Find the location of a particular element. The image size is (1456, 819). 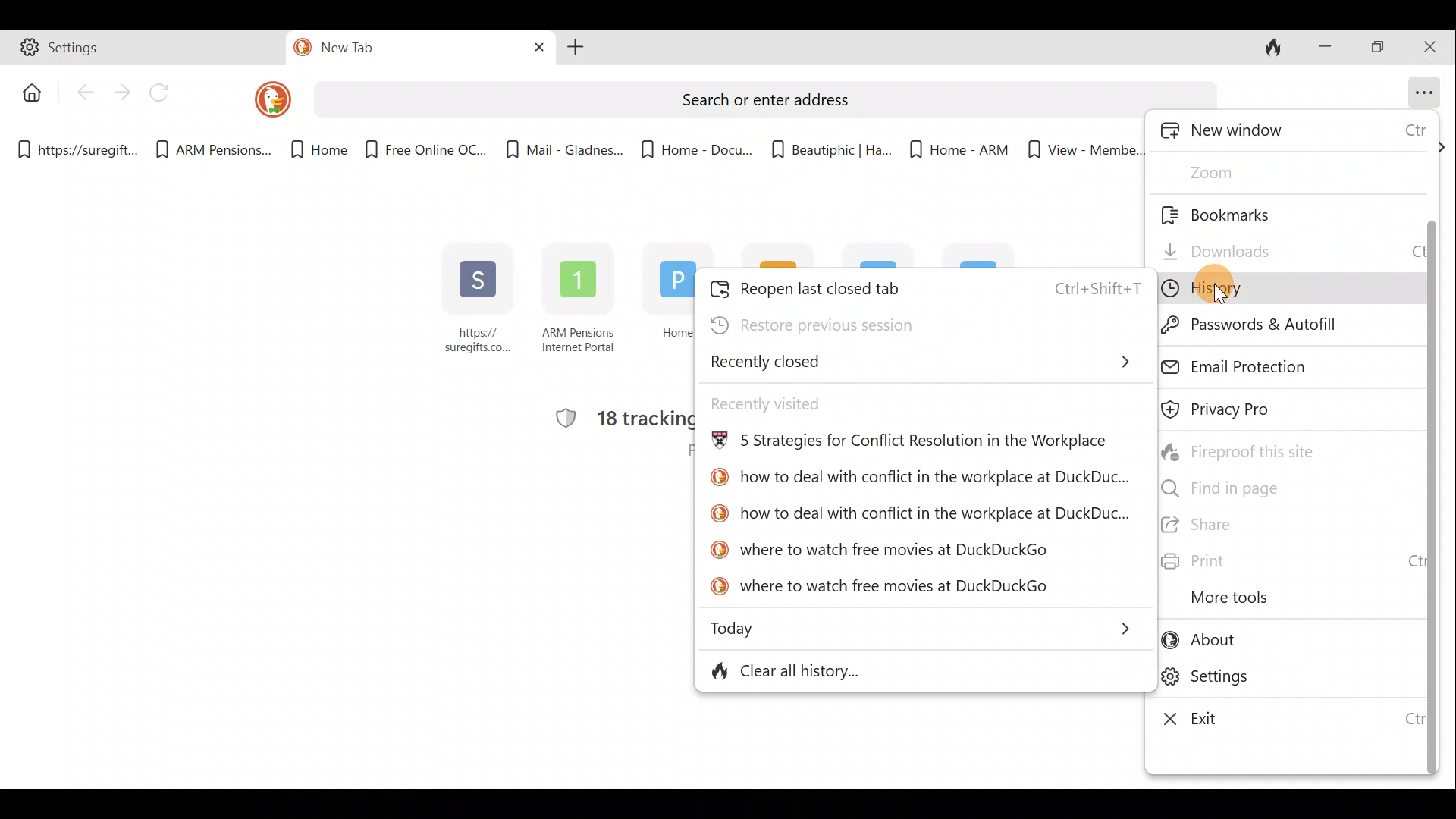

Settings is located at coordinates (1287, 680).